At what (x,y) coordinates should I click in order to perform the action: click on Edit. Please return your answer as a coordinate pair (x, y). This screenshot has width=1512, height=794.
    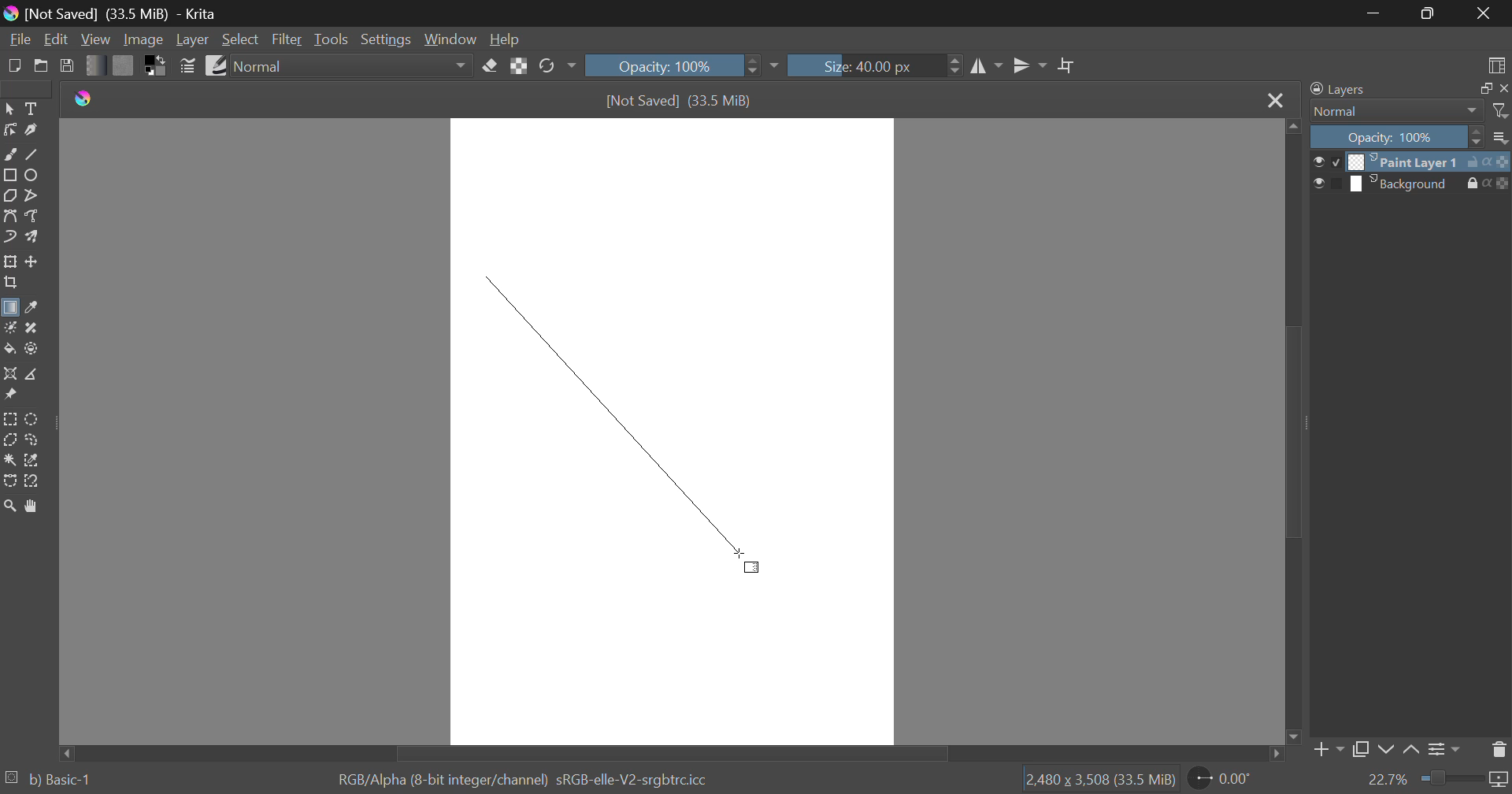
    Looking at the image, I should click on (57, 39).